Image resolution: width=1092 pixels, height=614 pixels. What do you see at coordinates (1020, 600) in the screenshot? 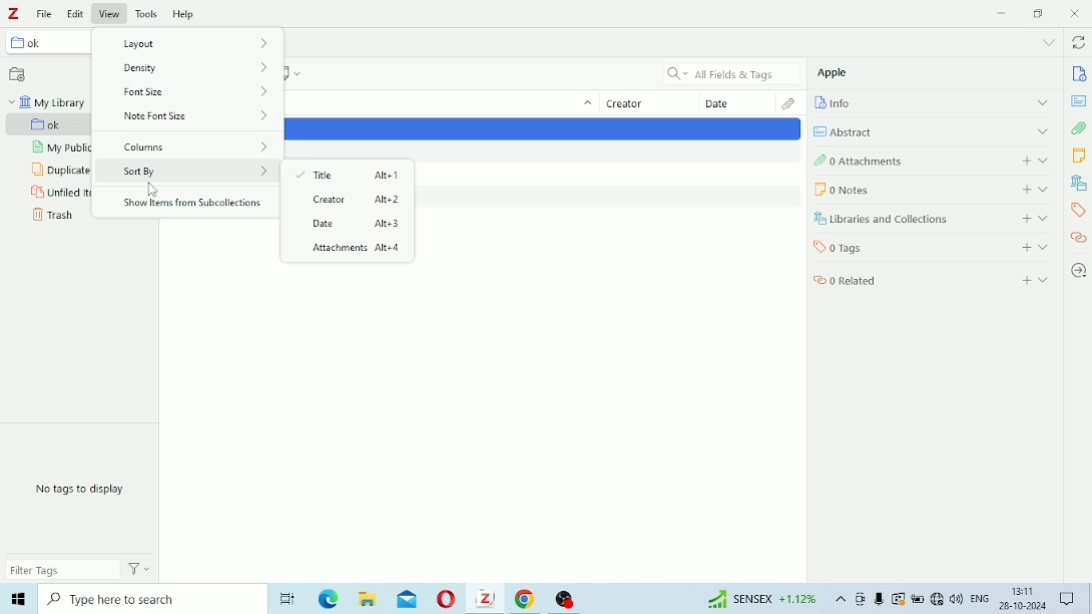
I see `Time/Date` at bounding box center [1020, 600].